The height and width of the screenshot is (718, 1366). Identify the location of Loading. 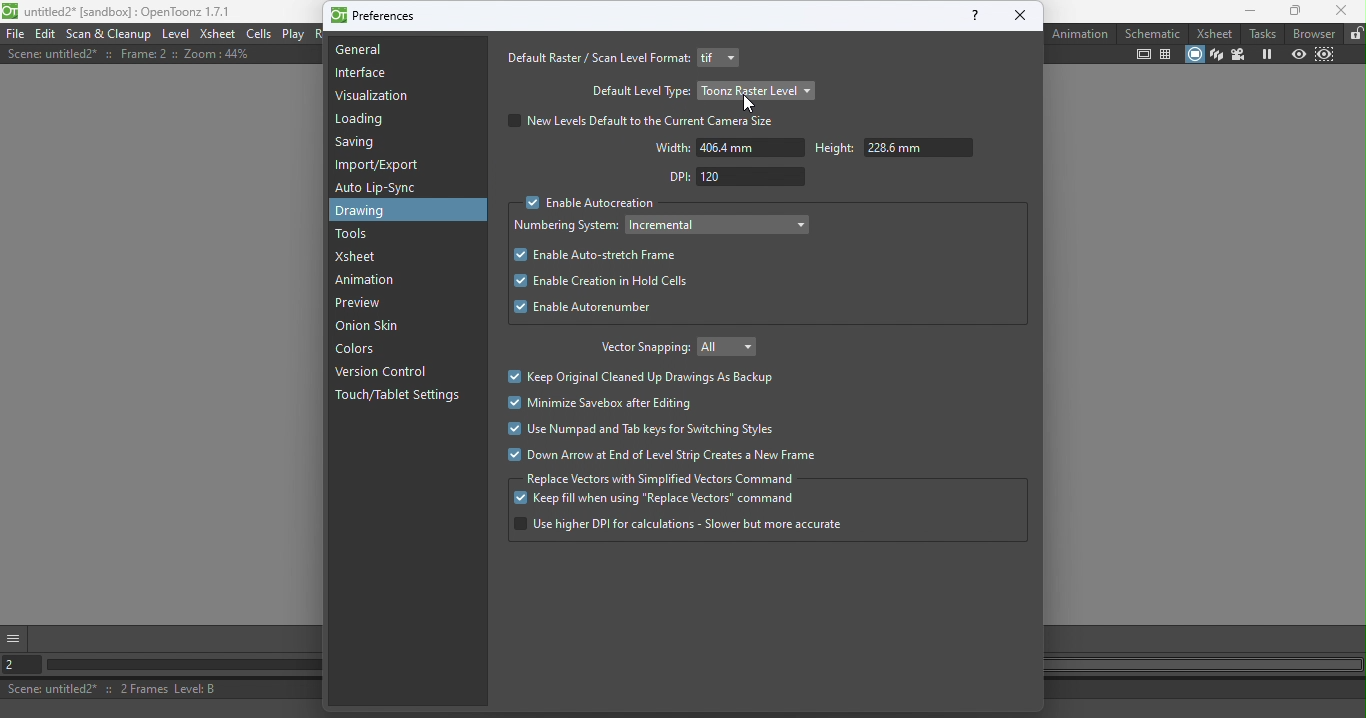
(367, 120).